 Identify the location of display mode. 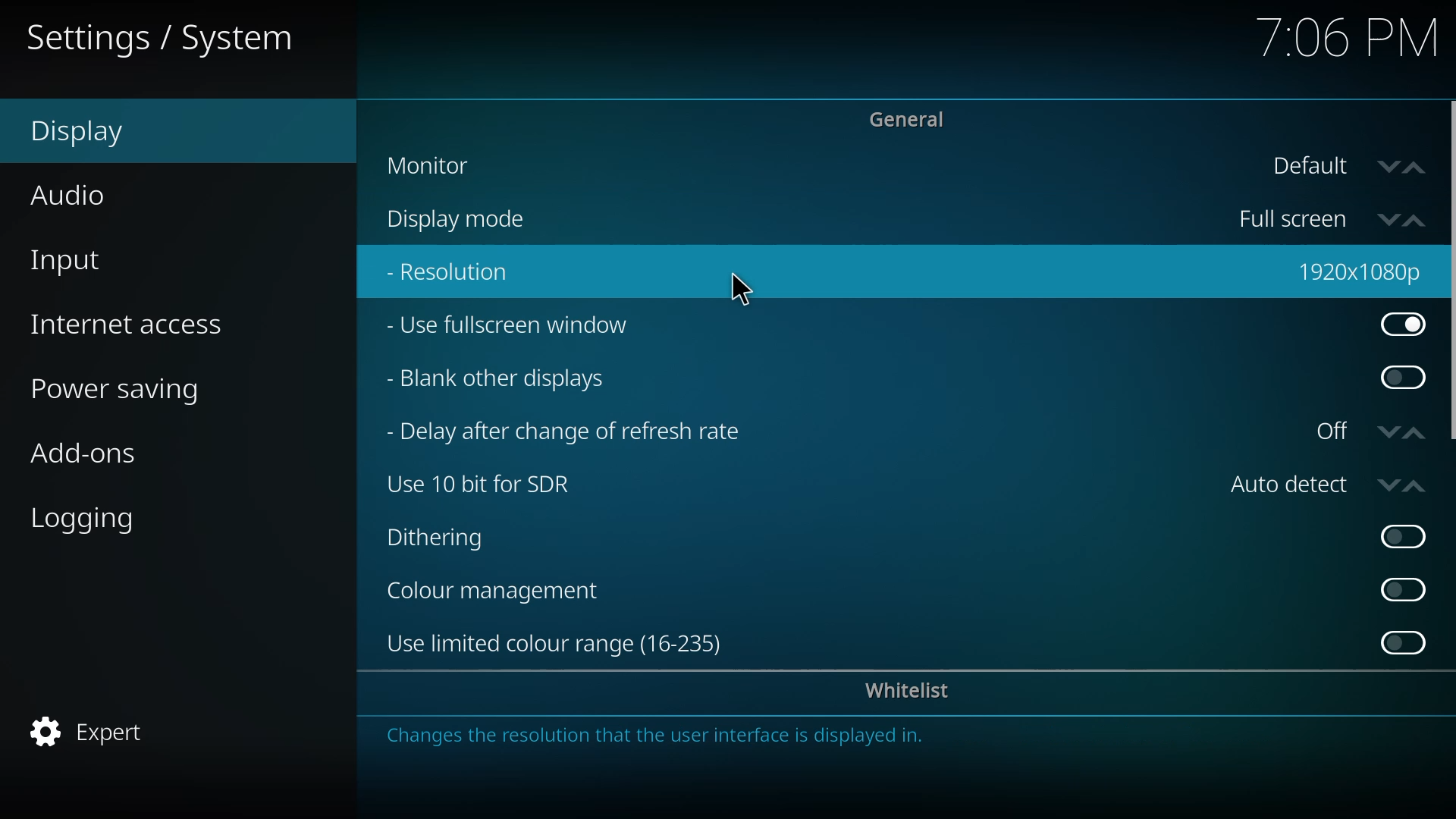
(465, 218).